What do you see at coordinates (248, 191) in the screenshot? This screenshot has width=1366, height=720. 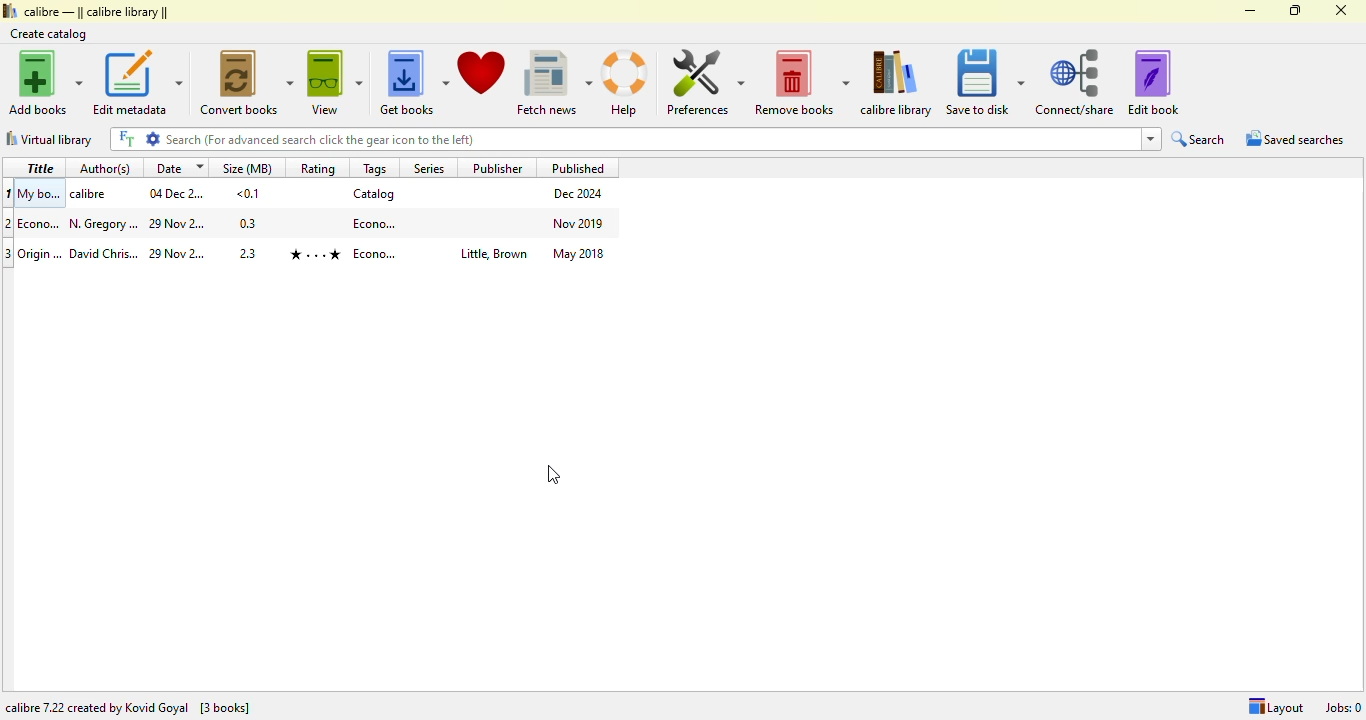 I see `<0.1` at bounding box center [248, 191].